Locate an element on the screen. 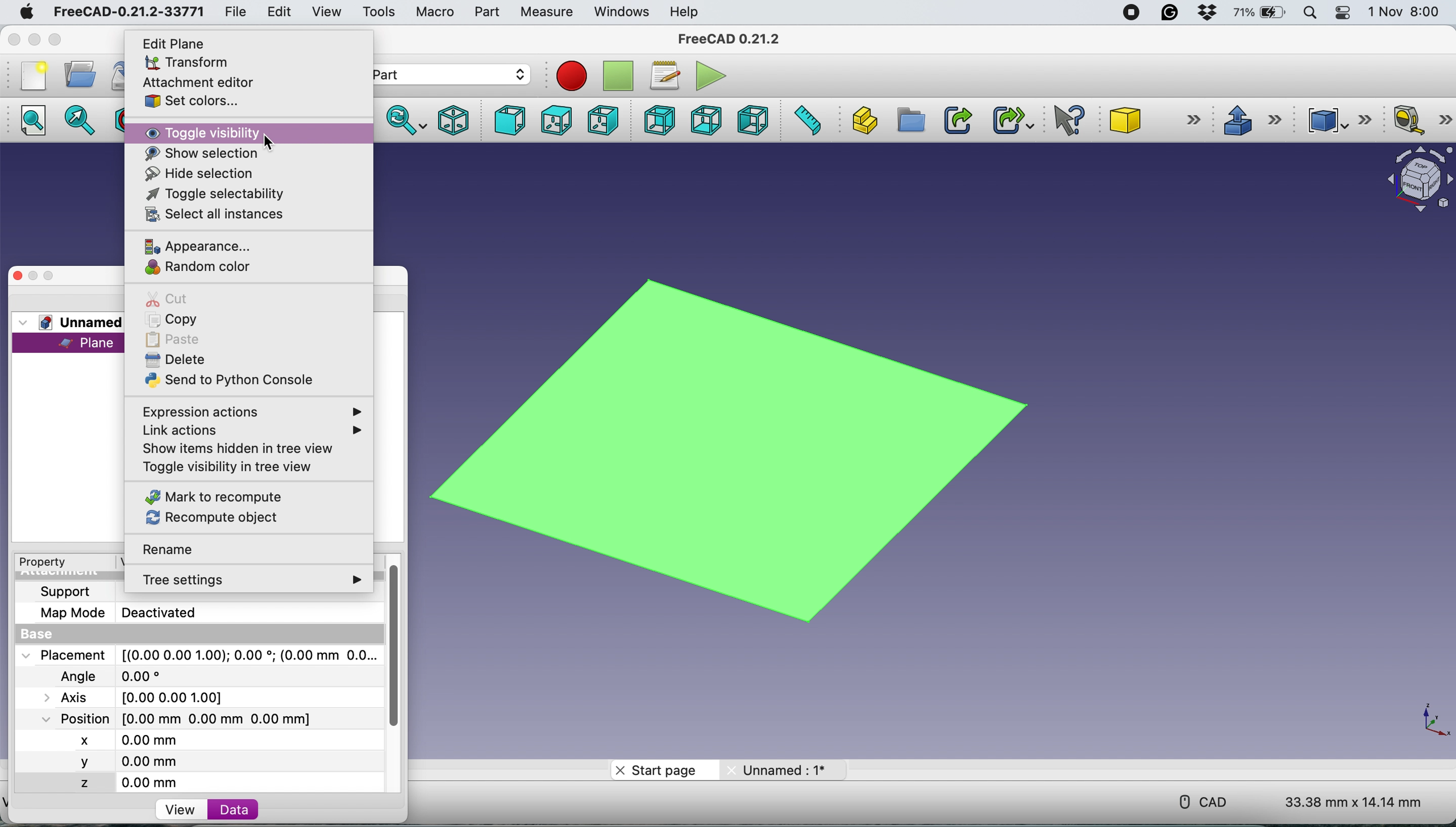  maximise is located at coordinates (52, 272).